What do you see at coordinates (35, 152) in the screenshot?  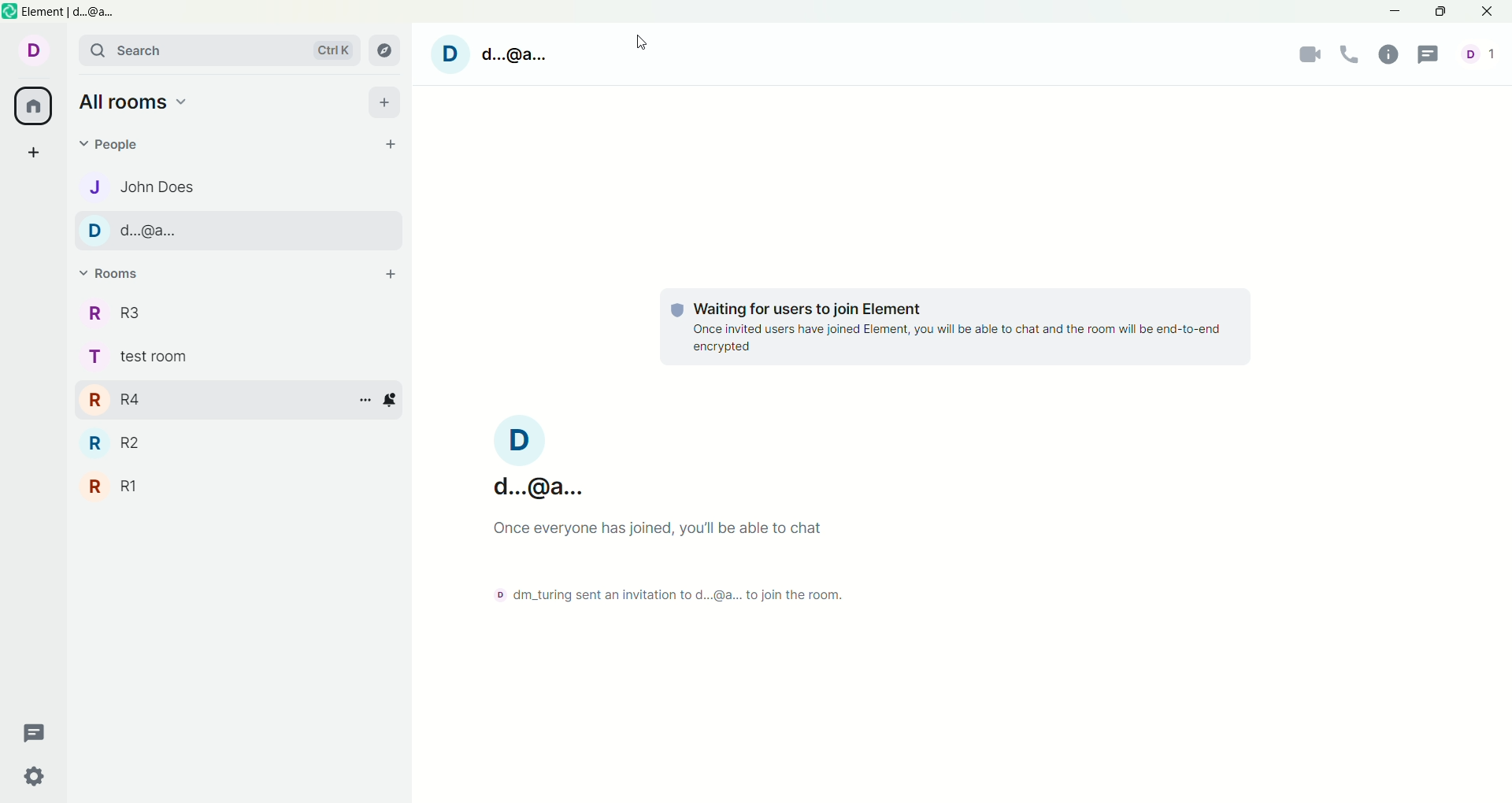 I see `create a space` at bounding box center [35, 152].